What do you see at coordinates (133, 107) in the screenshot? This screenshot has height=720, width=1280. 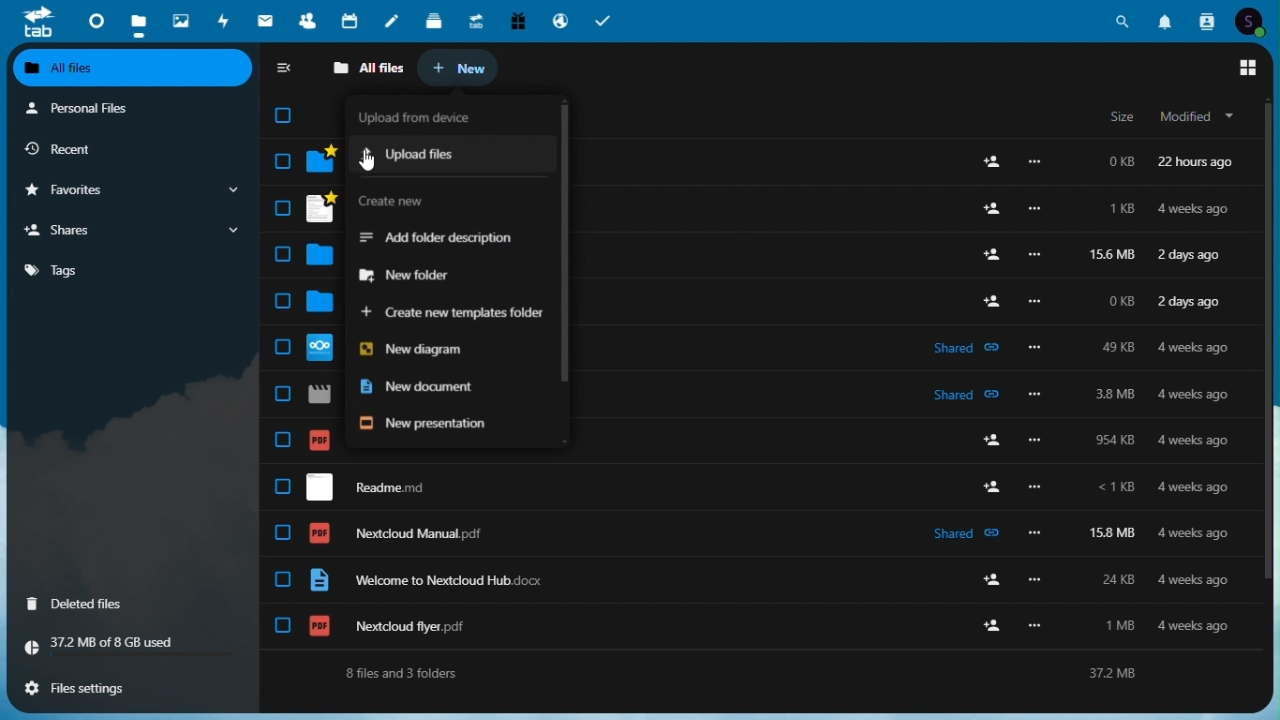 I see `personal files` at bounding box center [133, 107].